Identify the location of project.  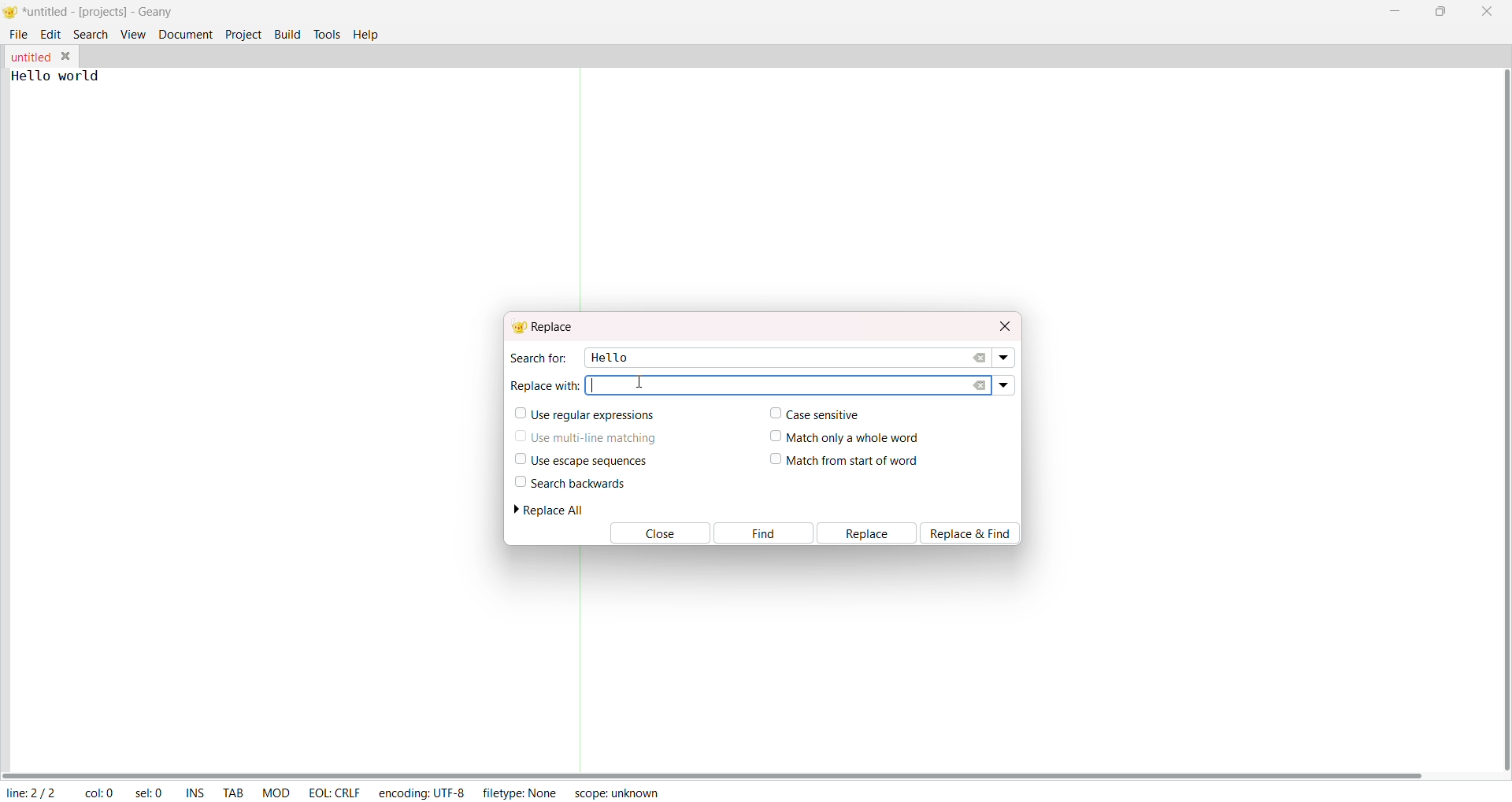
(243, 33).